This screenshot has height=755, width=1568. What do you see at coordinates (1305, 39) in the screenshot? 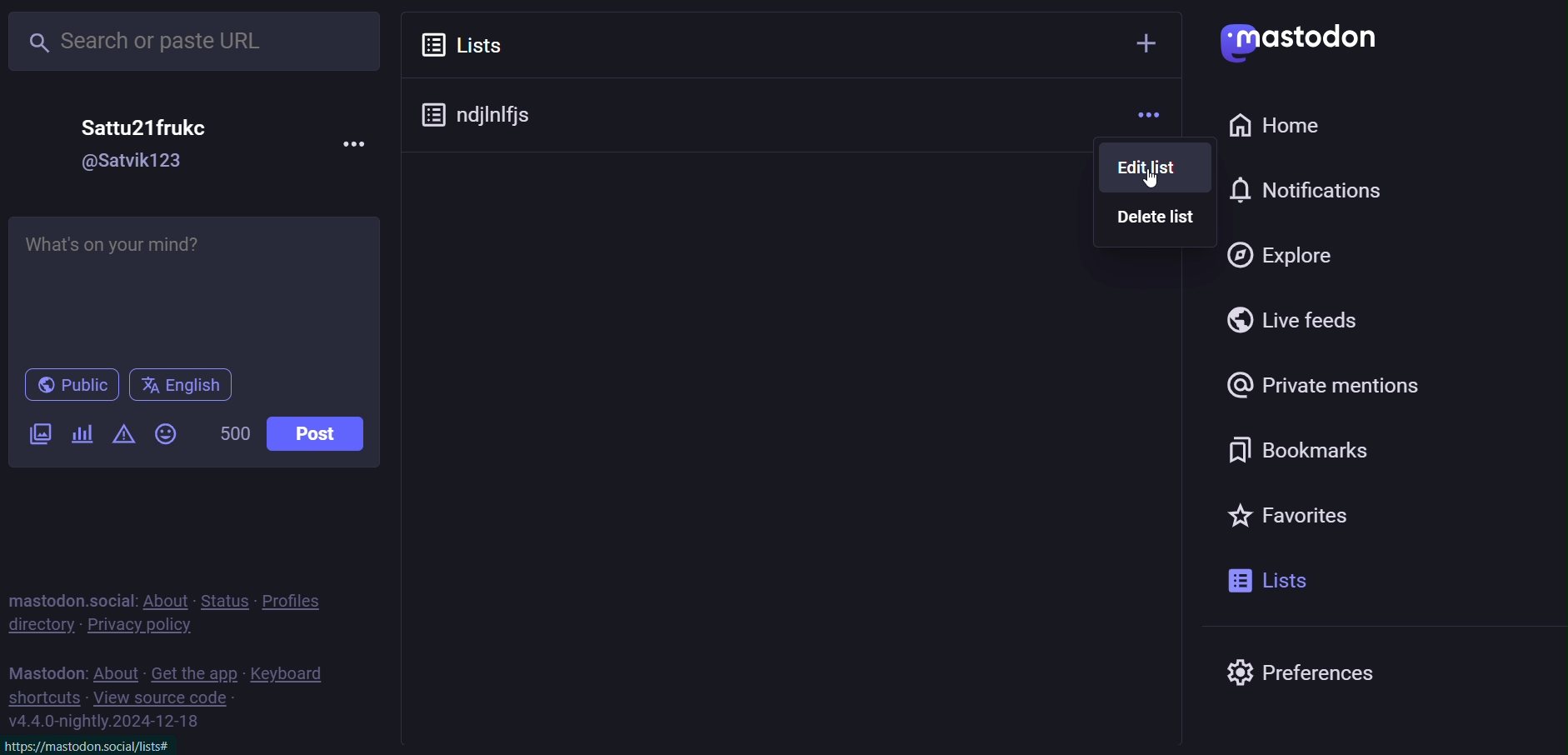
I see `mastodon` at bounding box center [1305, 39].